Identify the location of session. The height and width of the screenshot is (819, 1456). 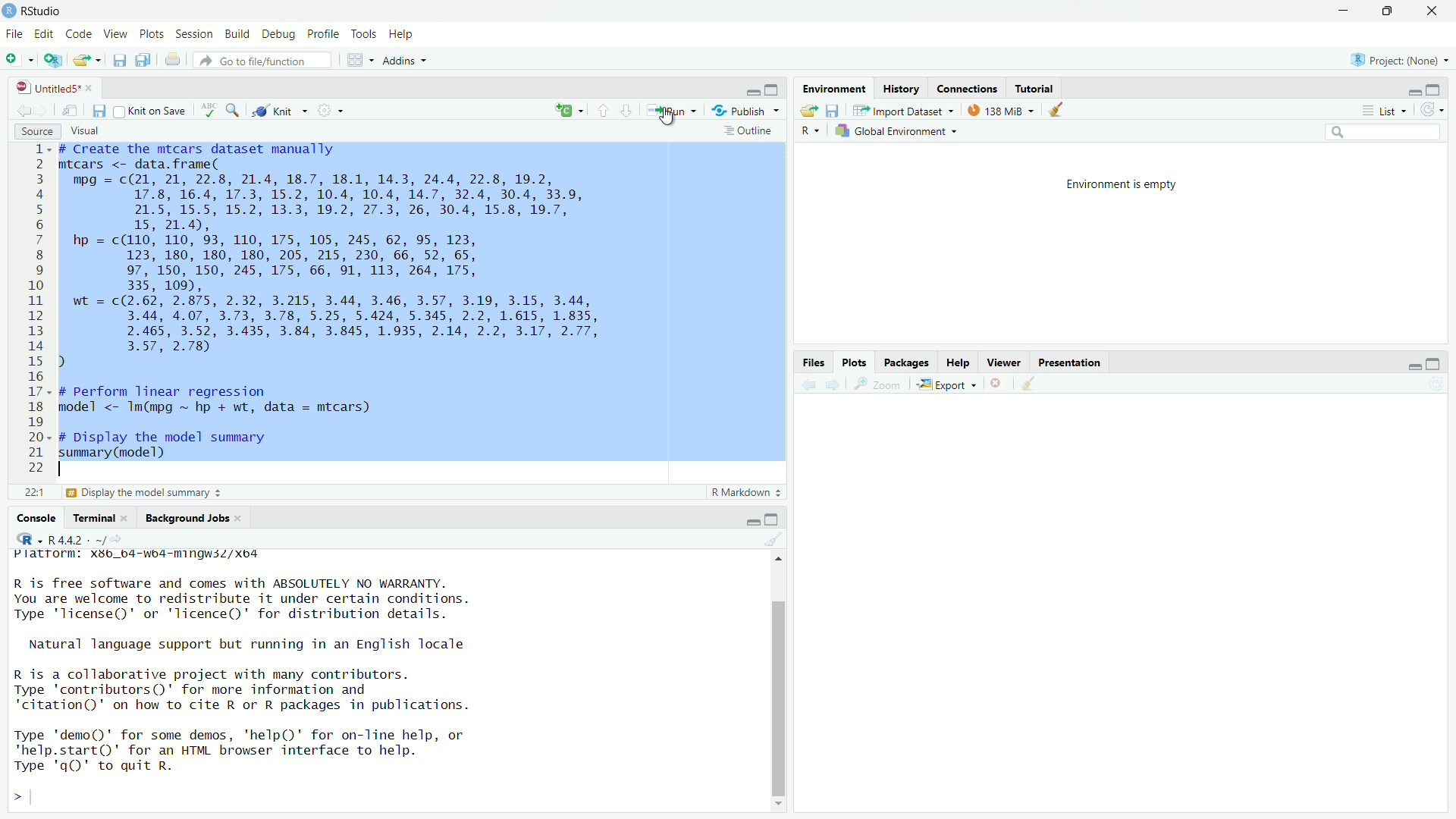
(194, 35).